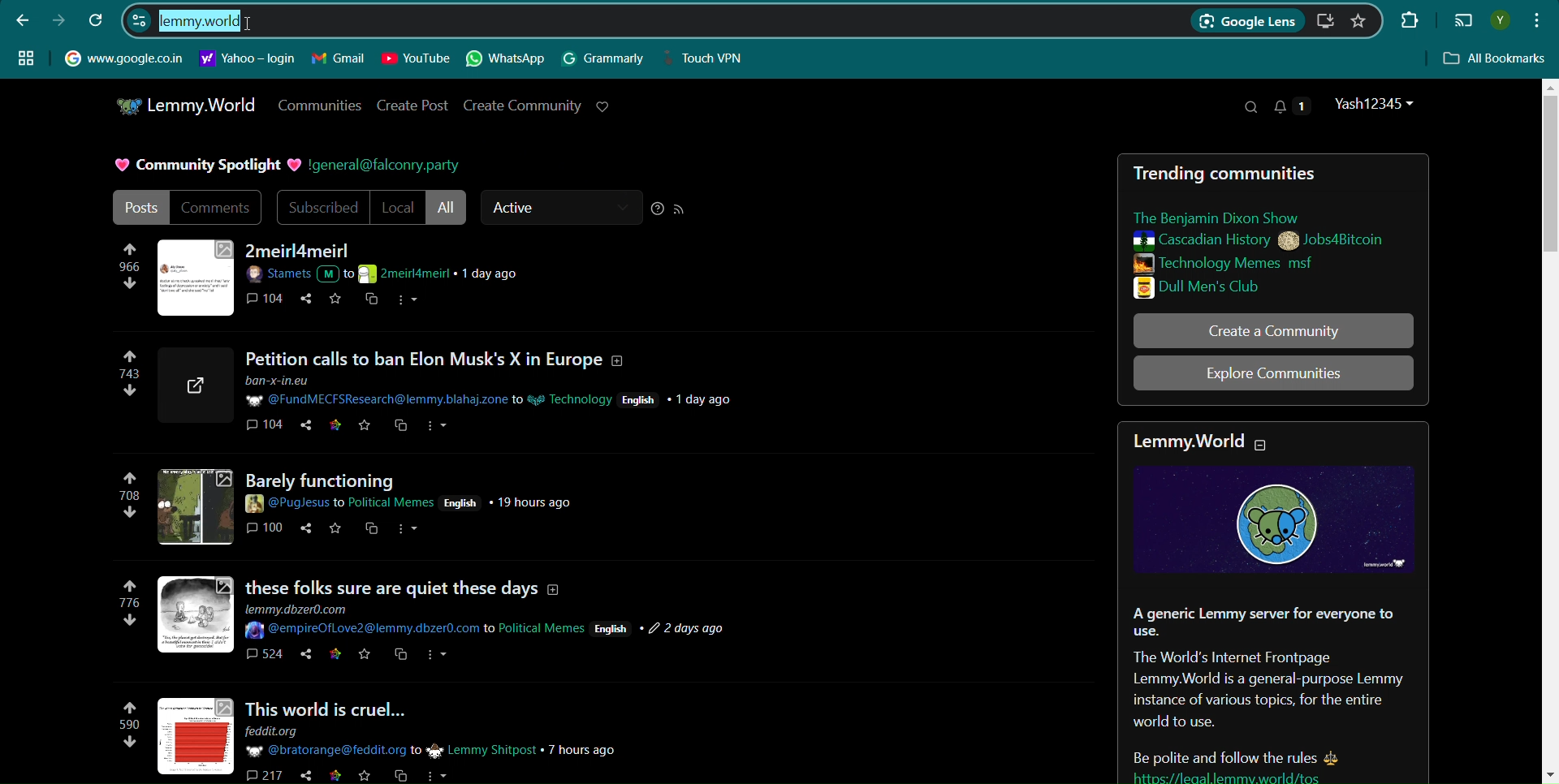  I want to click on Lemmy.world, so click(1187, 443).